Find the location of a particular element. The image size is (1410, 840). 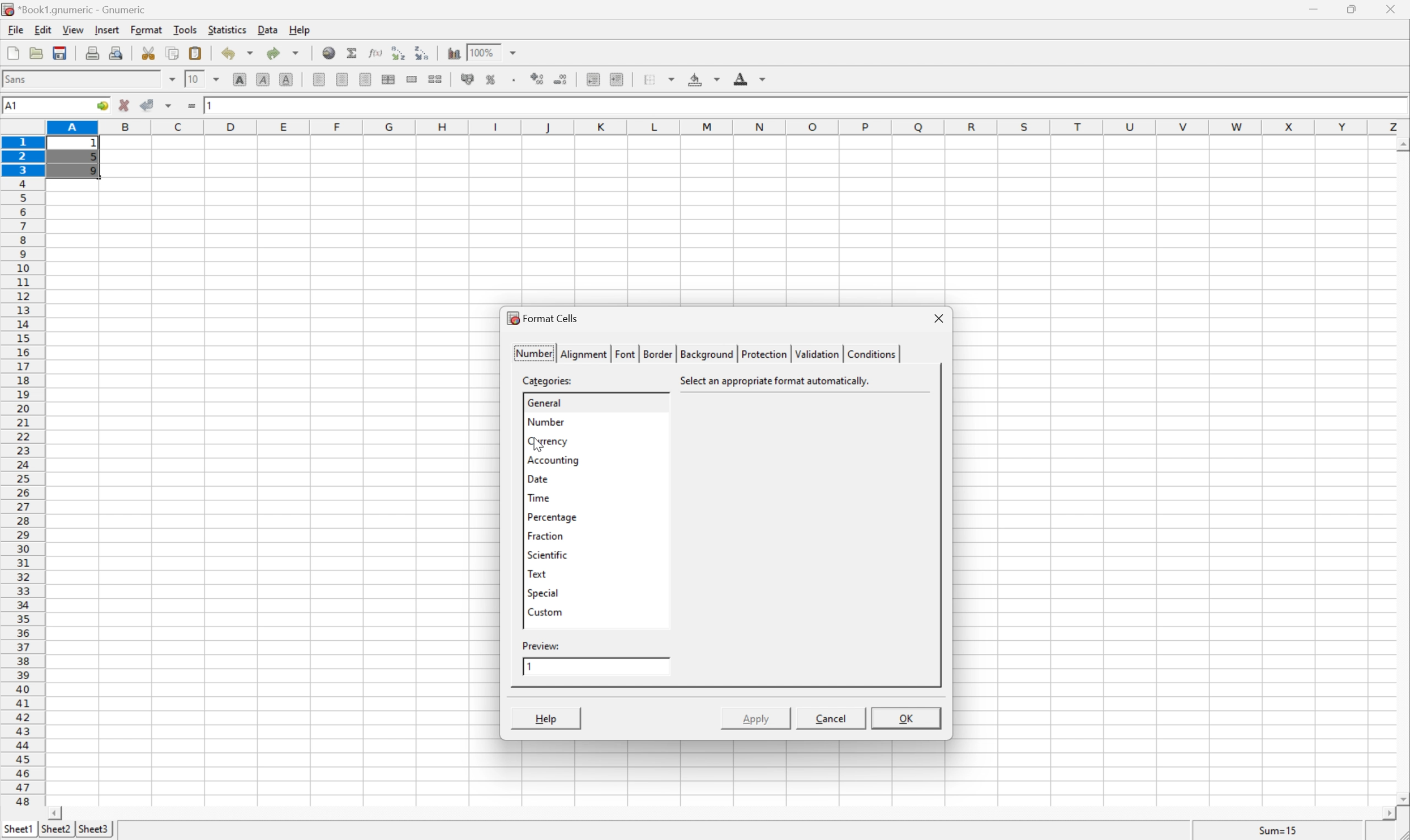

Set the format of the selected cells to include a thousands separator is located at coordinates (516, 80).